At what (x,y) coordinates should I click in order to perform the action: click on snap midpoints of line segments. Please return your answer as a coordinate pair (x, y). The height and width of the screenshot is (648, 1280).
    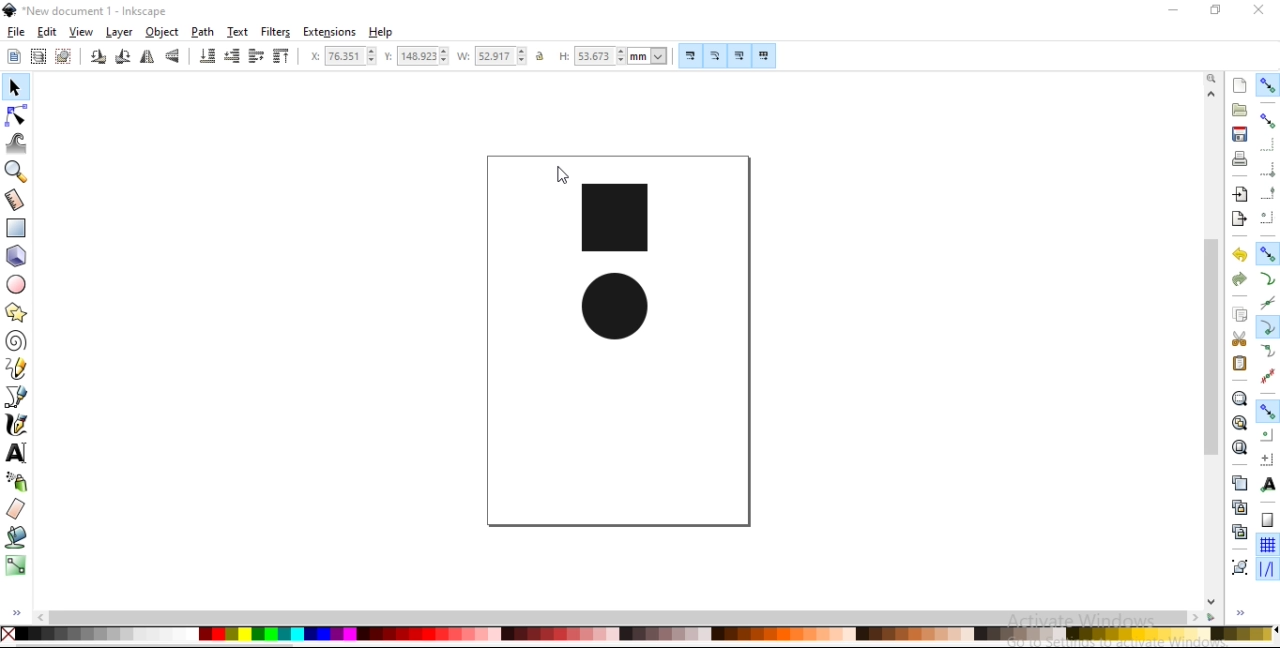
    Looking at the image, I should click on (1267, 375).